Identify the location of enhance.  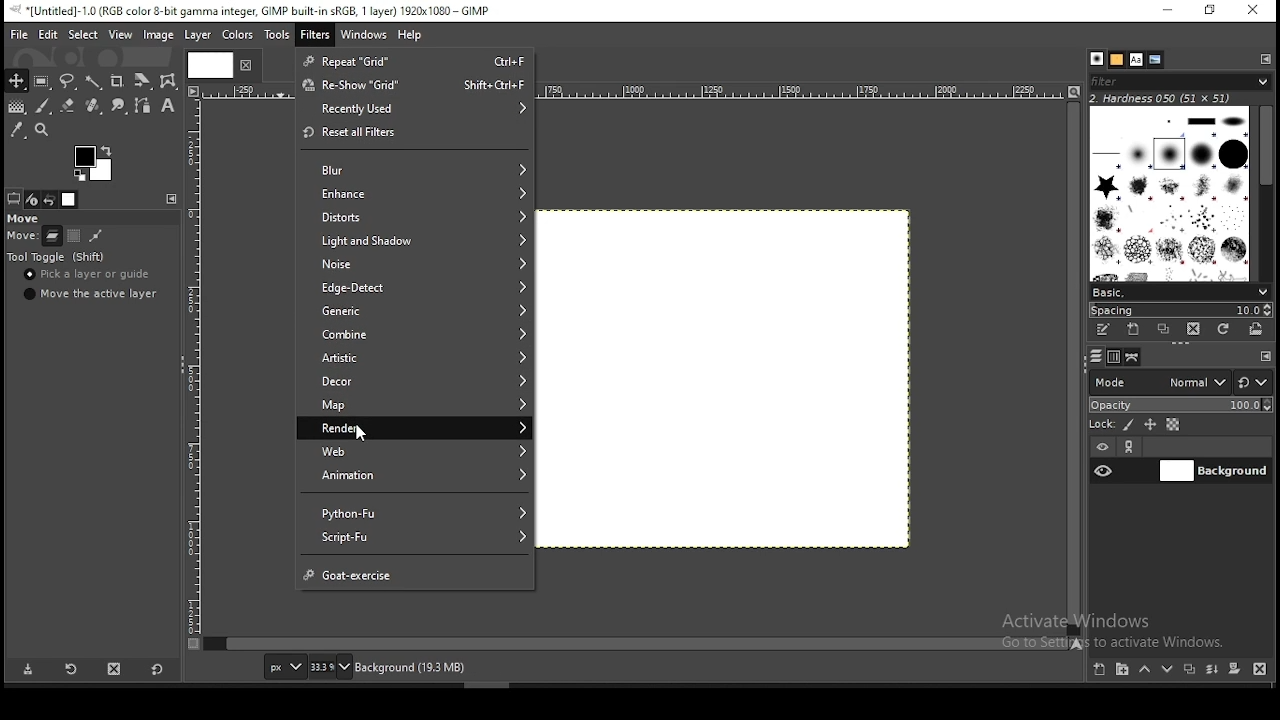
(414, 192).